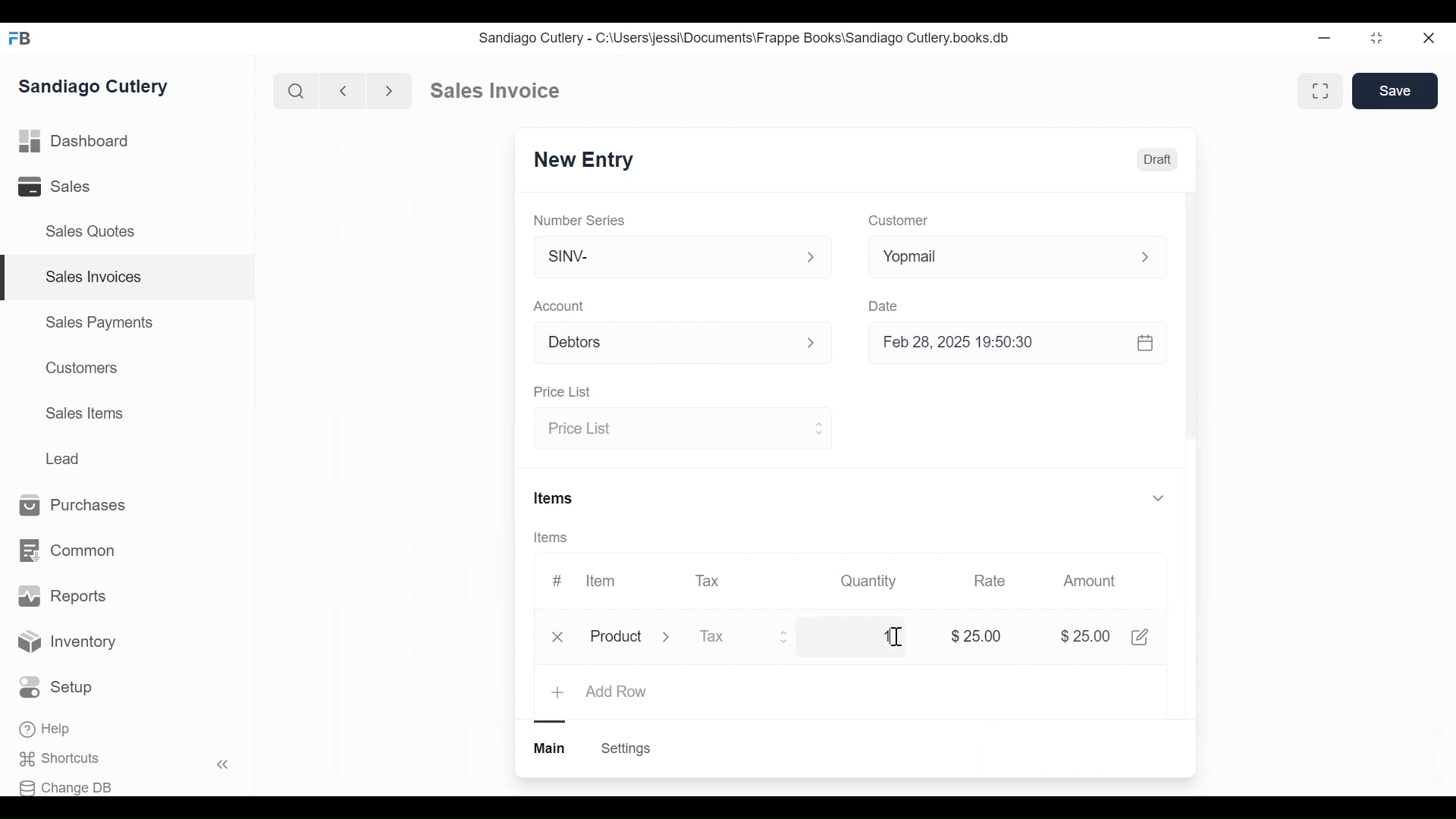 The image size is (1456, 819). Describe the element at coordinates (84, 412) in the screenshot. I see `Sales Items` at that location.